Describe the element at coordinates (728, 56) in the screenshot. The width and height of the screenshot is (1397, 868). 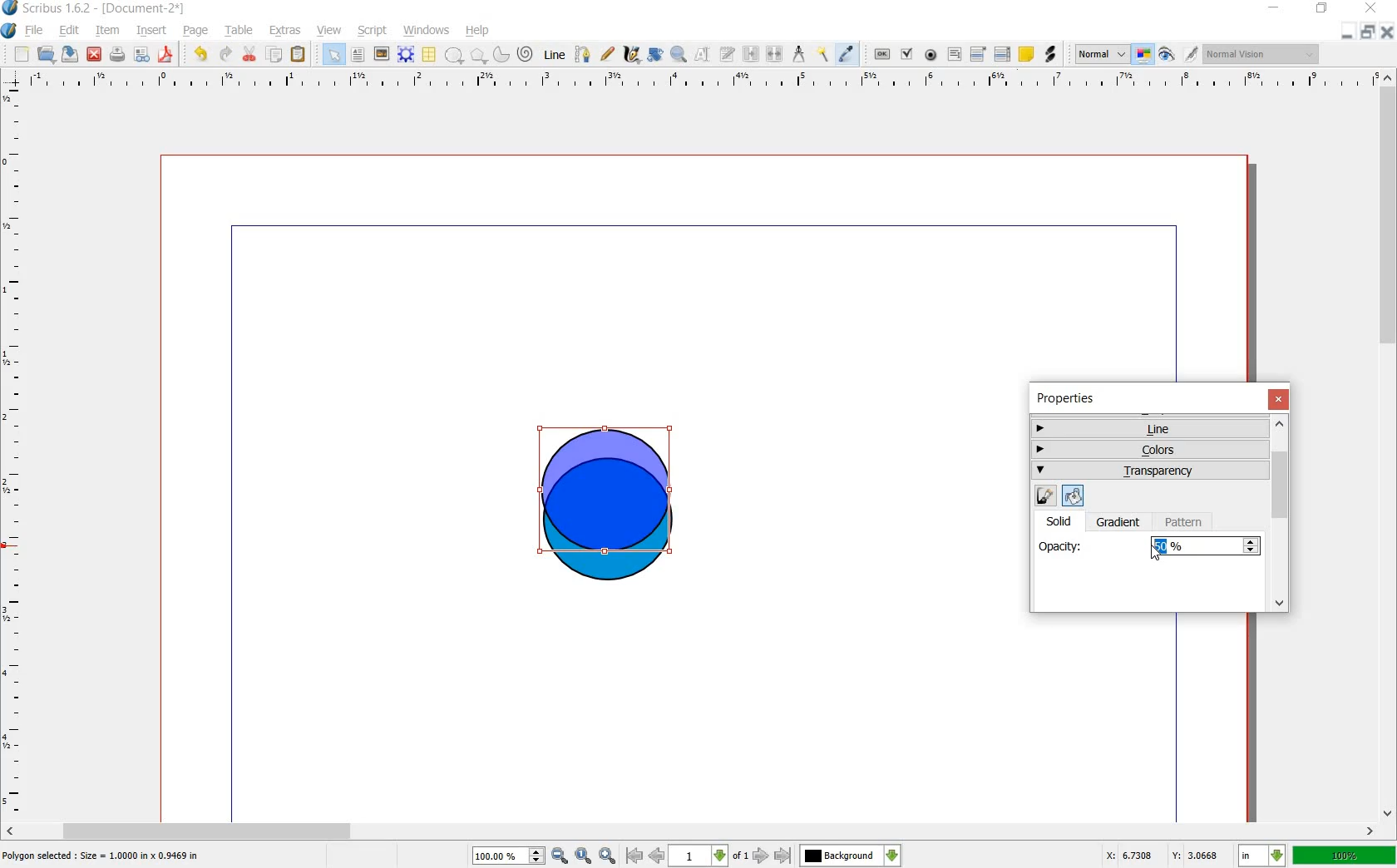
I see `edit text with story editor` at that location.